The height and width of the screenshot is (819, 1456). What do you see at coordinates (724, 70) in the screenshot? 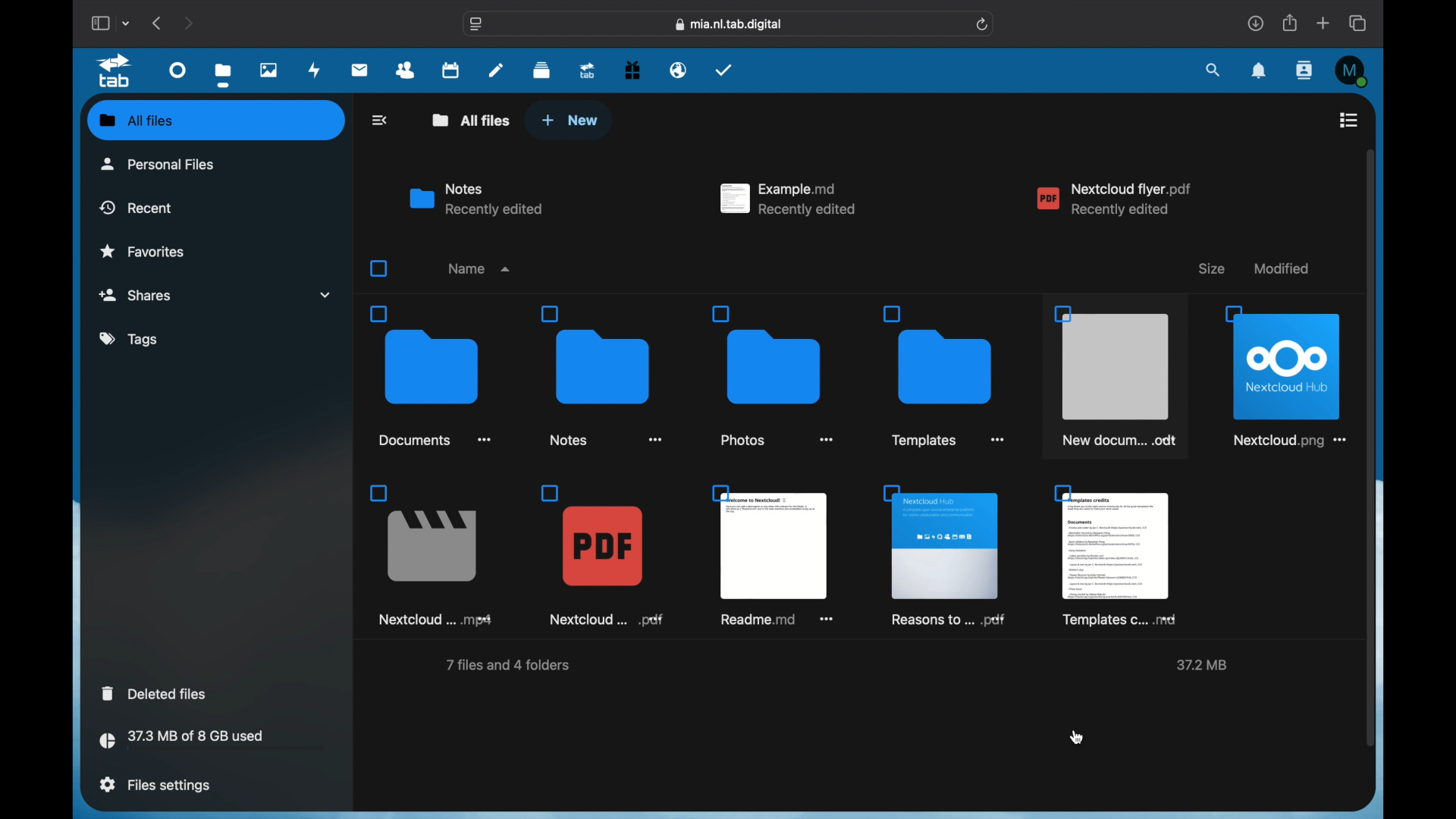
I see `tasks` at bounding box center [724, 70].